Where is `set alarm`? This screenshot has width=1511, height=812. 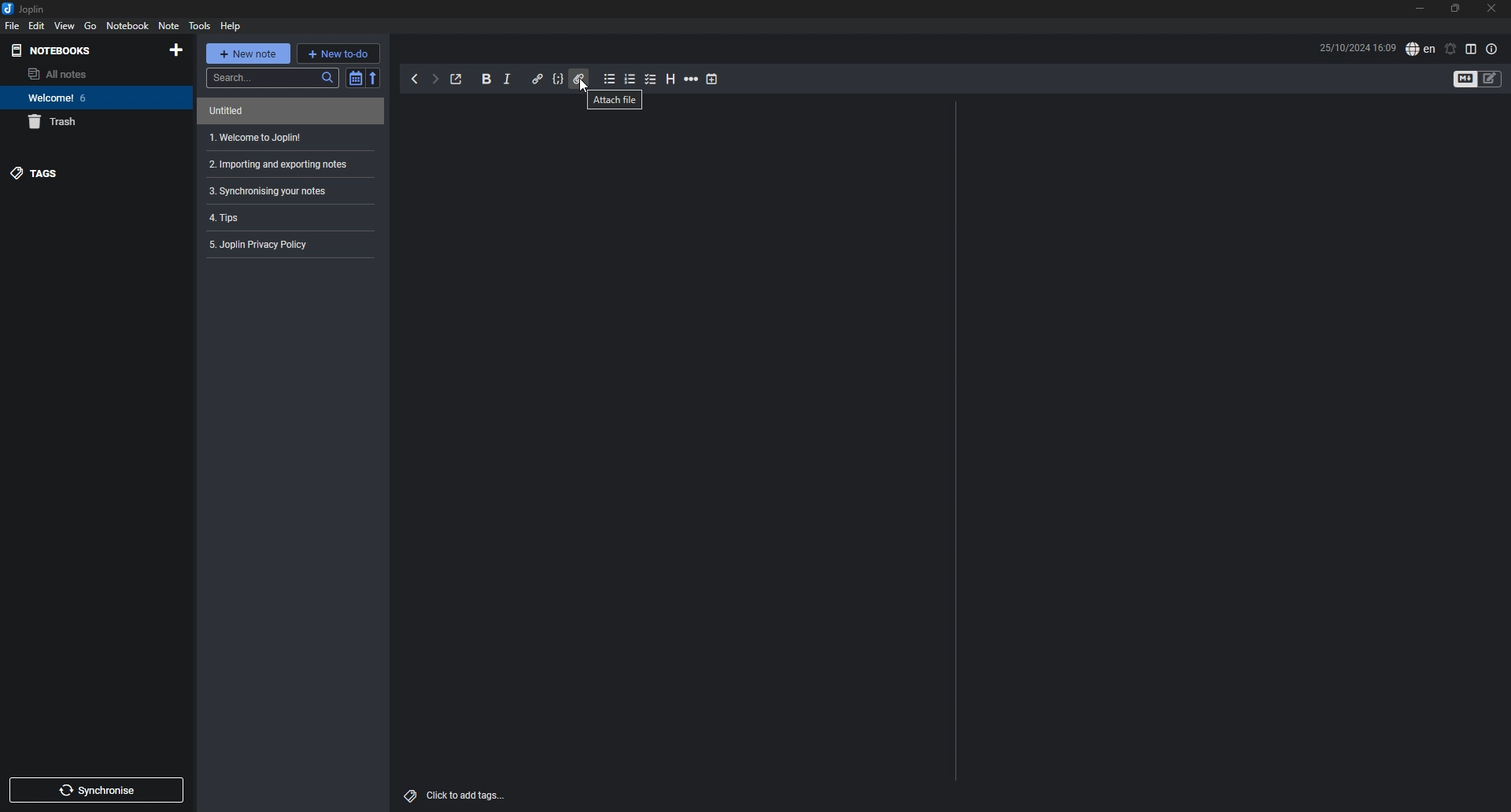
set alarm is located at coordinates (1451, 49).